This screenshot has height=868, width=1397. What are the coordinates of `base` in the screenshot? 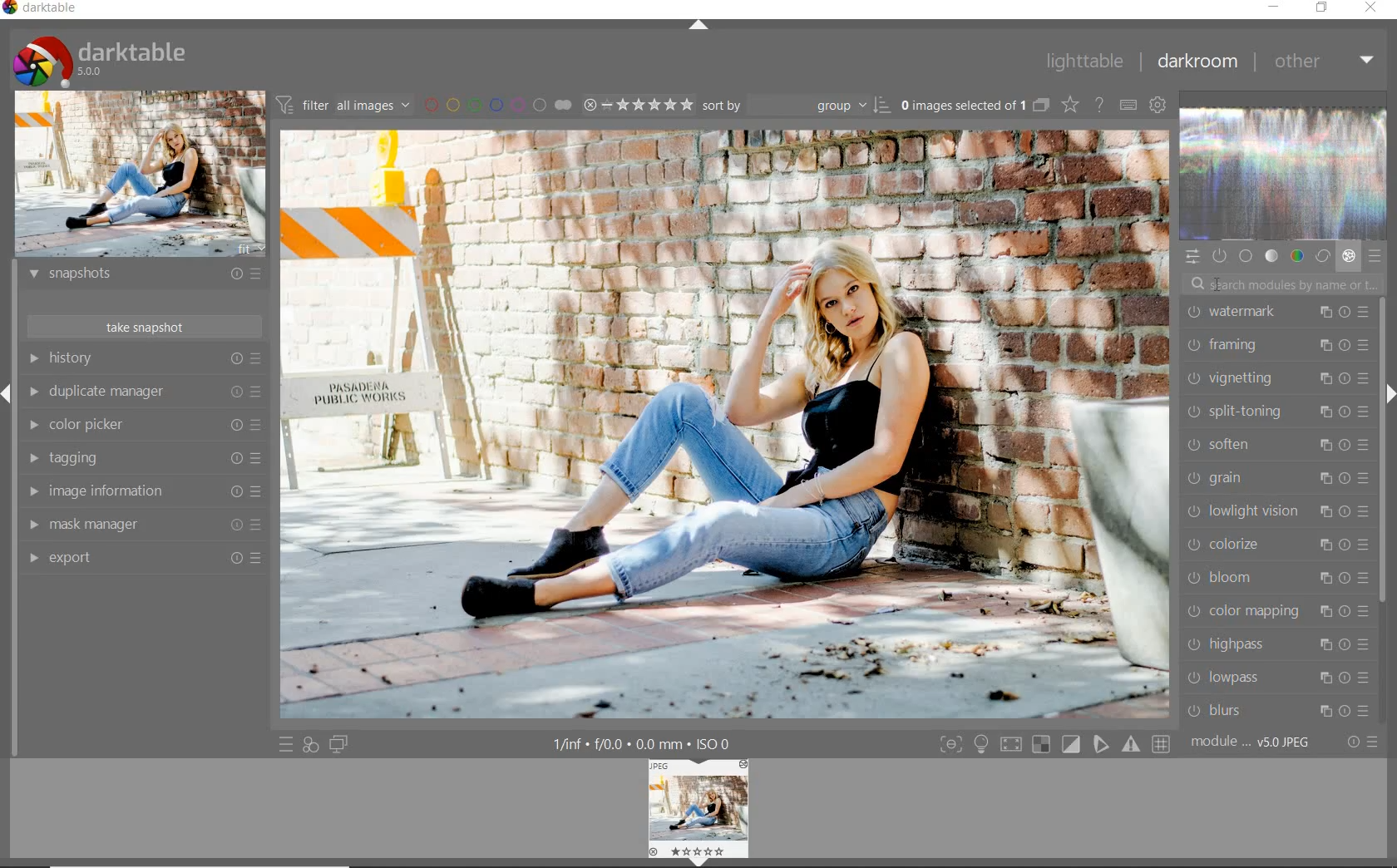 It's located at (1247, 256).